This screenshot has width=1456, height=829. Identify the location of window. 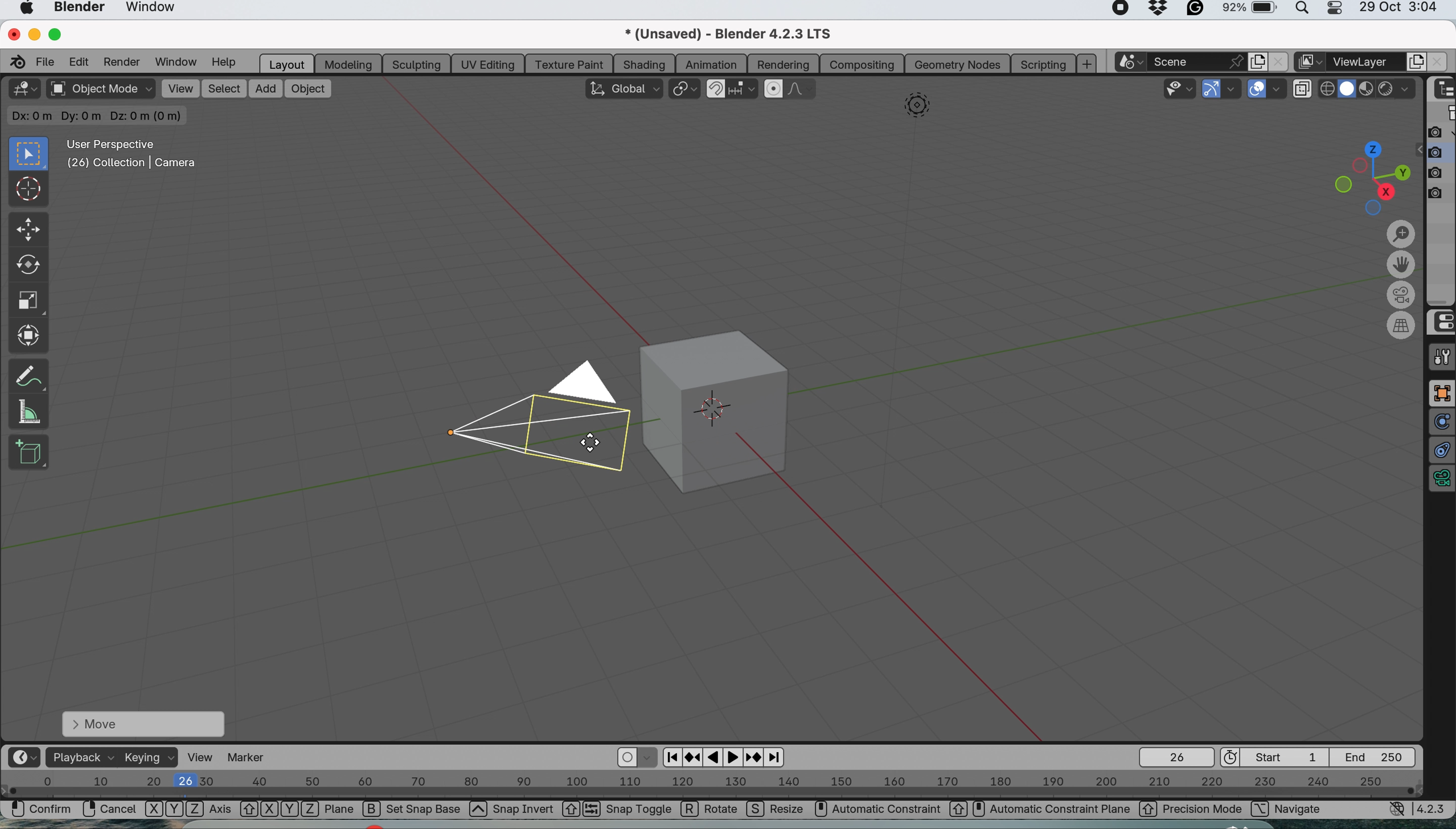
(157, 10).